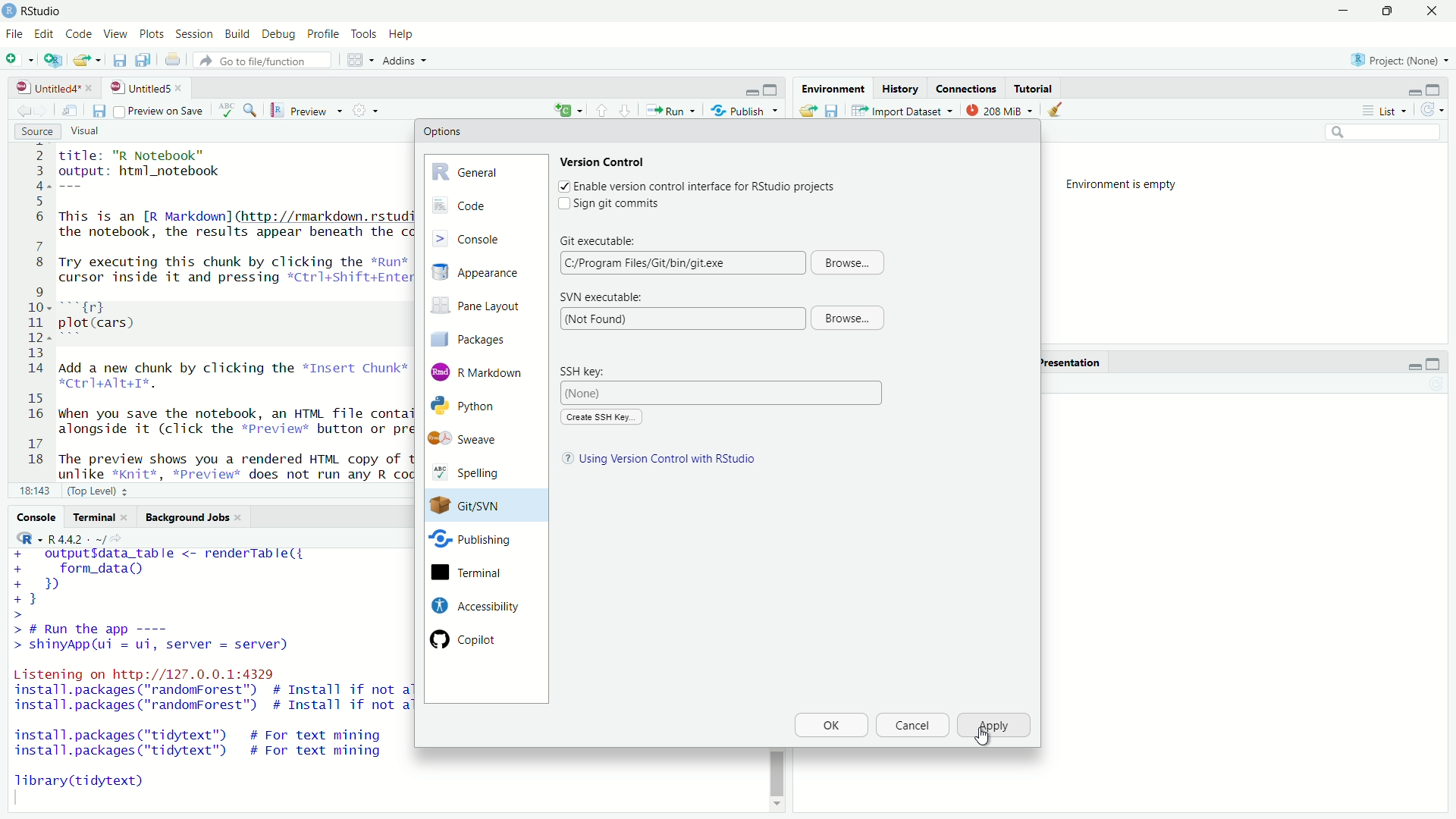  I want to click on minimize, so click(1413, 365).